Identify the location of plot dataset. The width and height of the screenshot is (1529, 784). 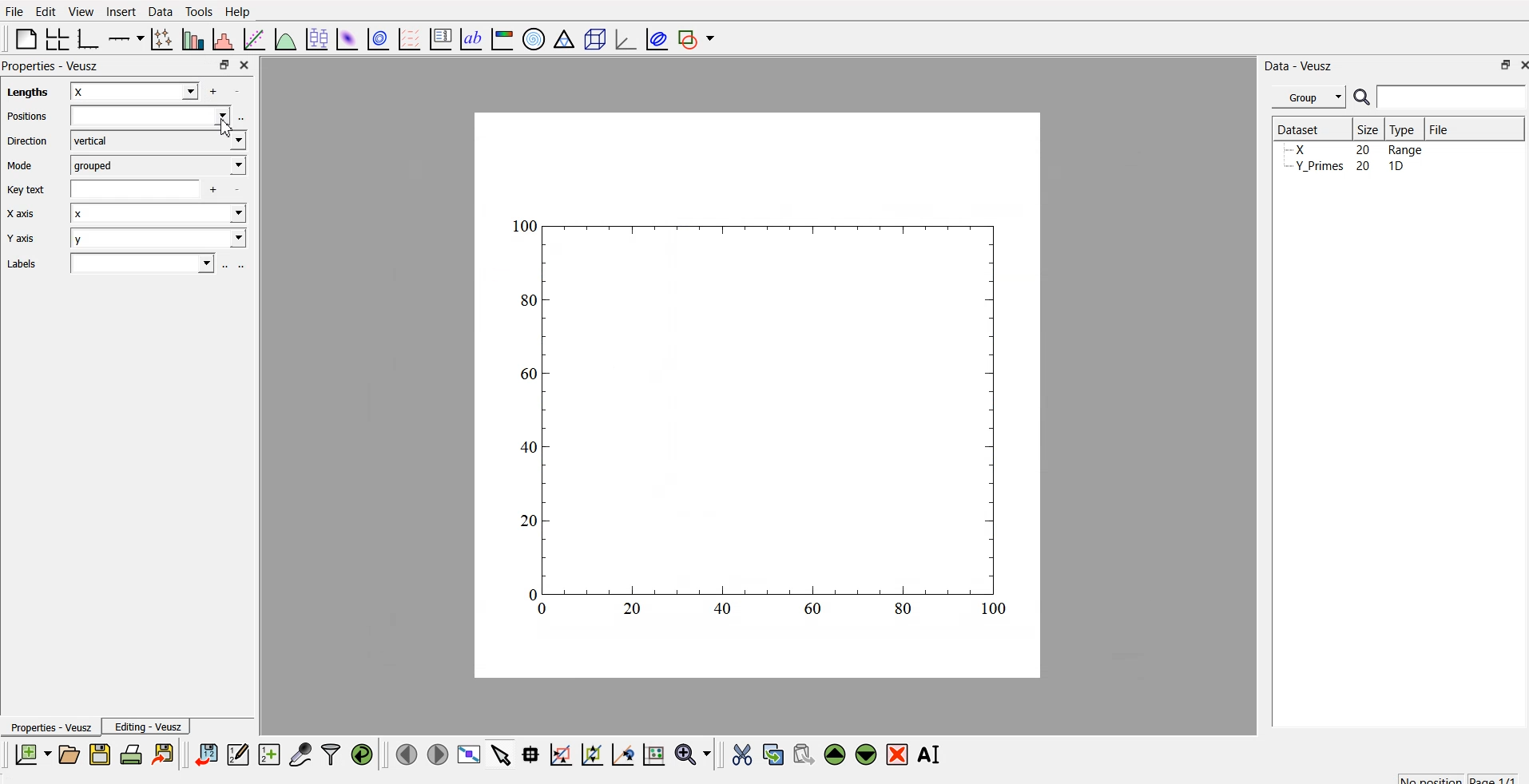
(347, 38).